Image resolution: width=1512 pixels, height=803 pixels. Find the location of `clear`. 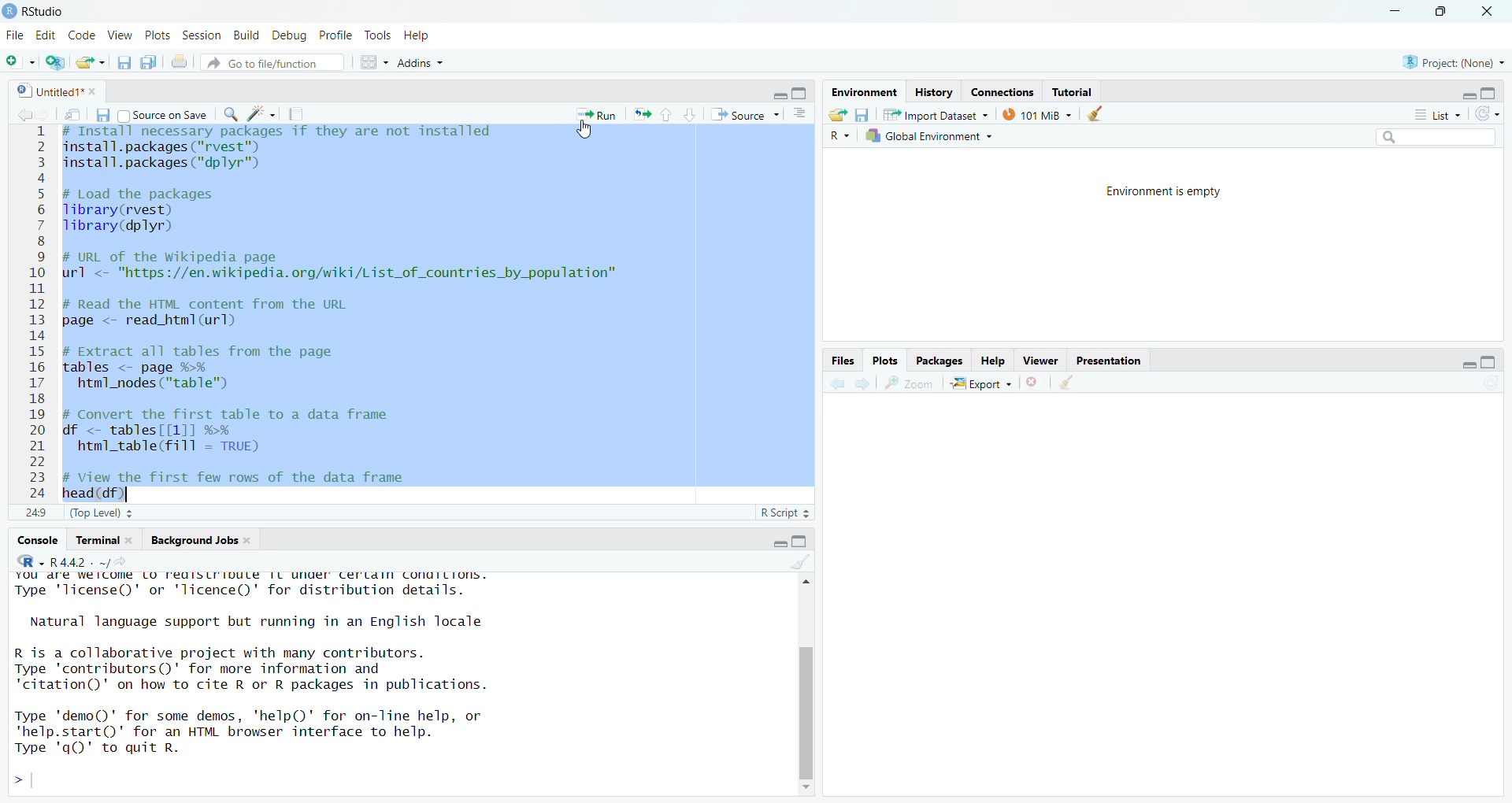

clear is located at coordinates (1065, 382).